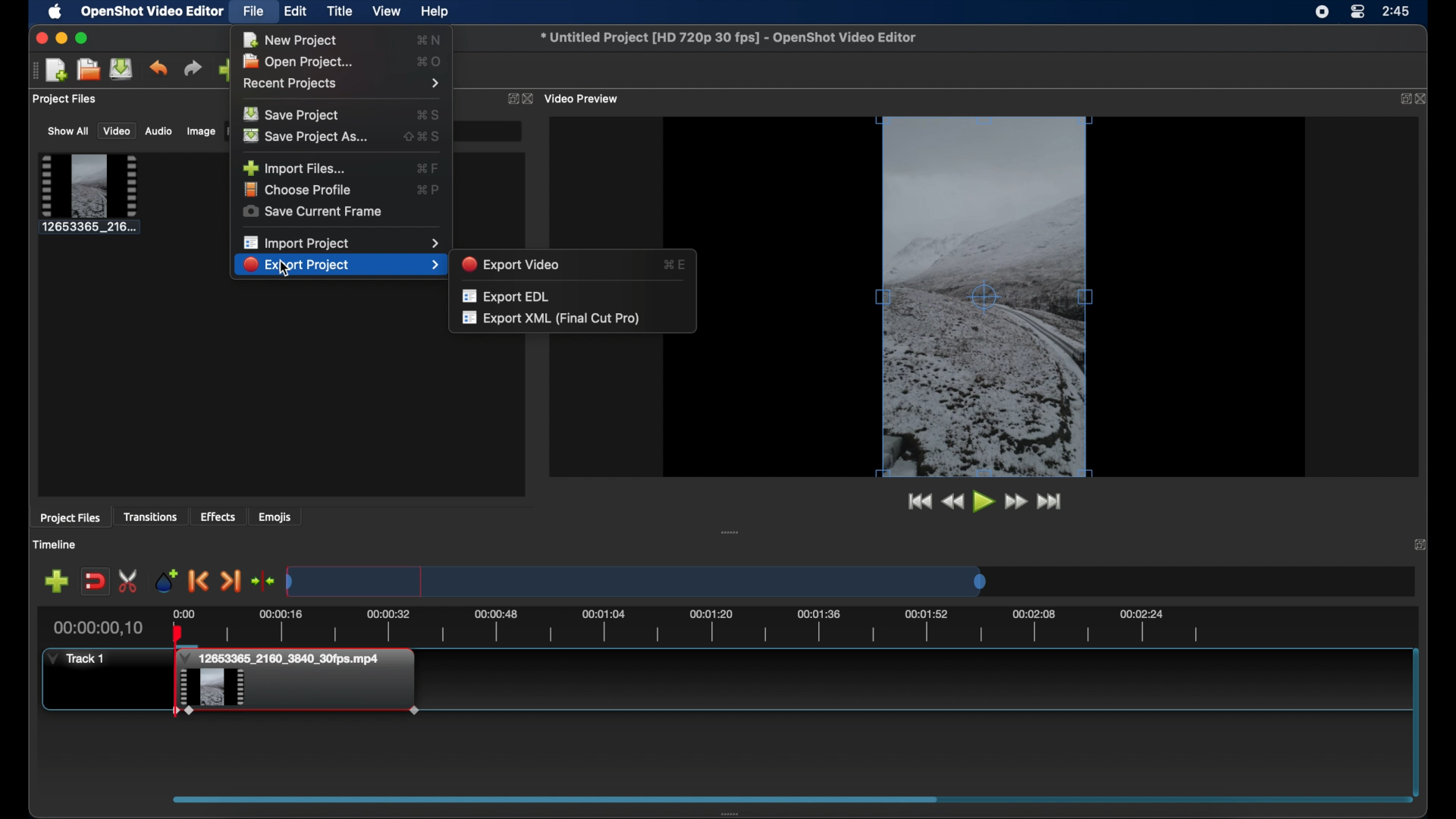 The image size is (1456, 819). What do you see at coordinates (66, 100) in the screenshot?
I see `project files` at bounding box center [66, 100].